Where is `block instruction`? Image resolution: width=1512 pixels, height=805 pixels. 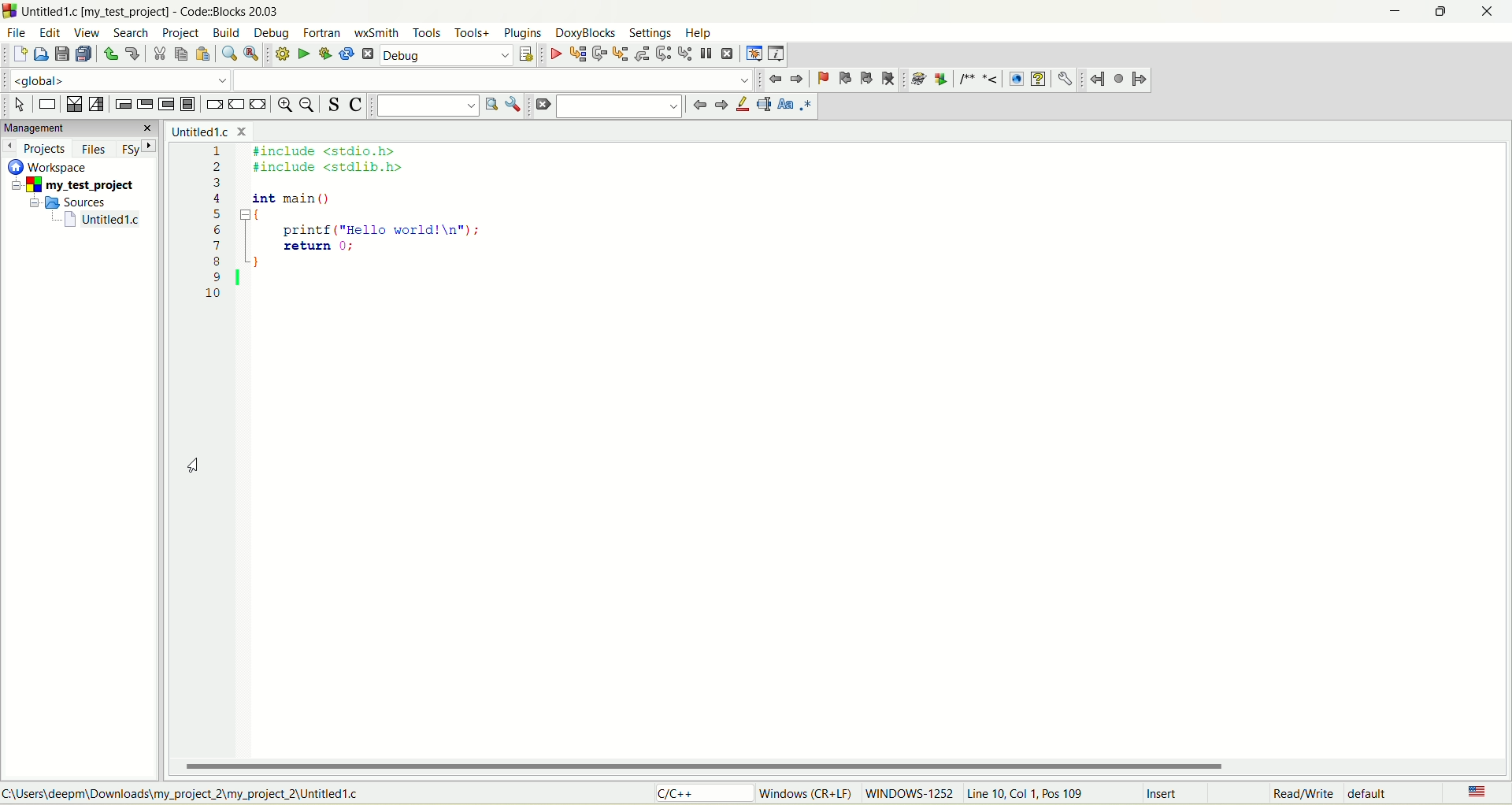 block instruction is located at coordinates (191, 105).